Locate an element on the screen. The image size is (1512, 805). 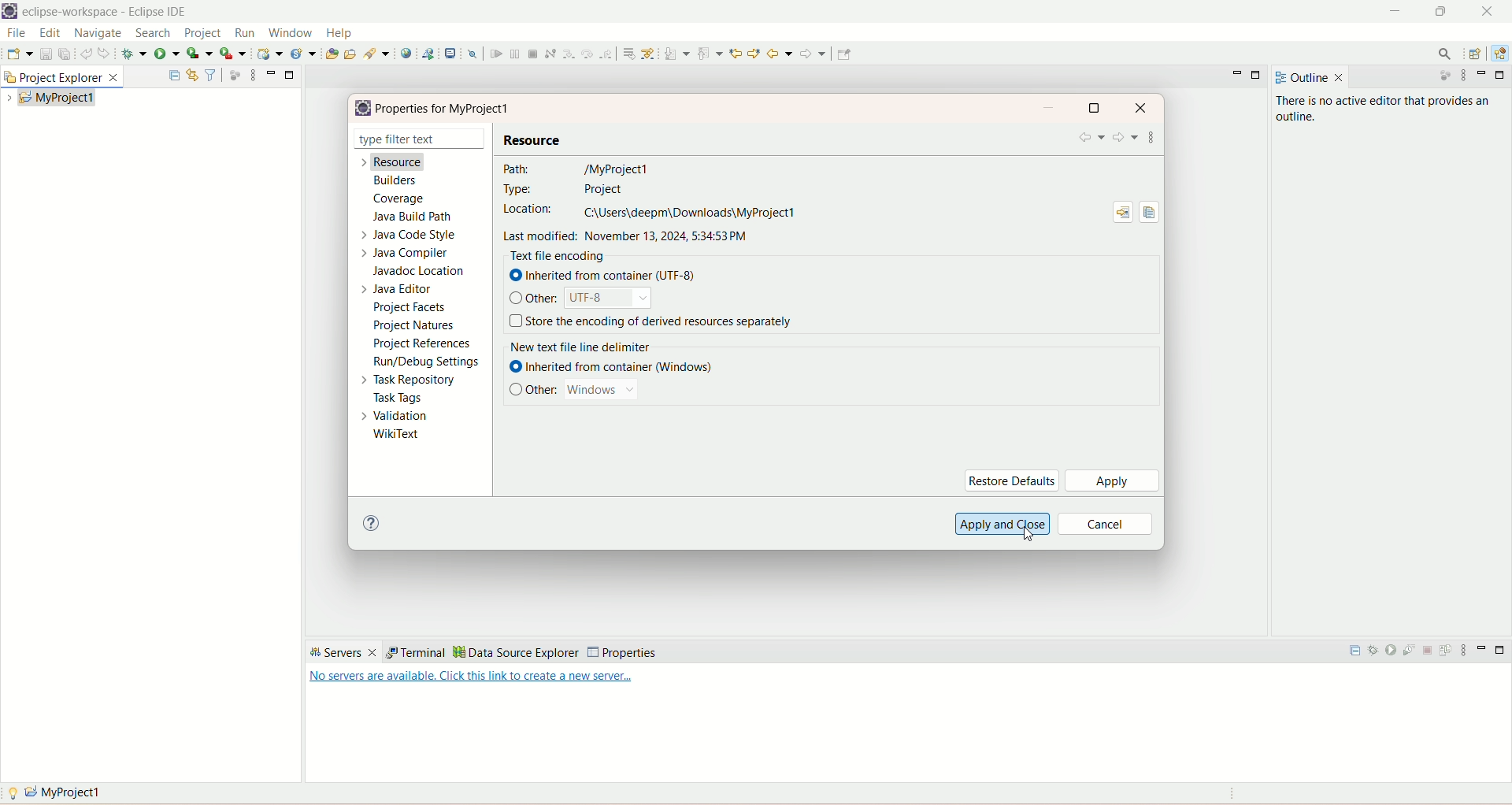
run is located at coordinates (246, 34).